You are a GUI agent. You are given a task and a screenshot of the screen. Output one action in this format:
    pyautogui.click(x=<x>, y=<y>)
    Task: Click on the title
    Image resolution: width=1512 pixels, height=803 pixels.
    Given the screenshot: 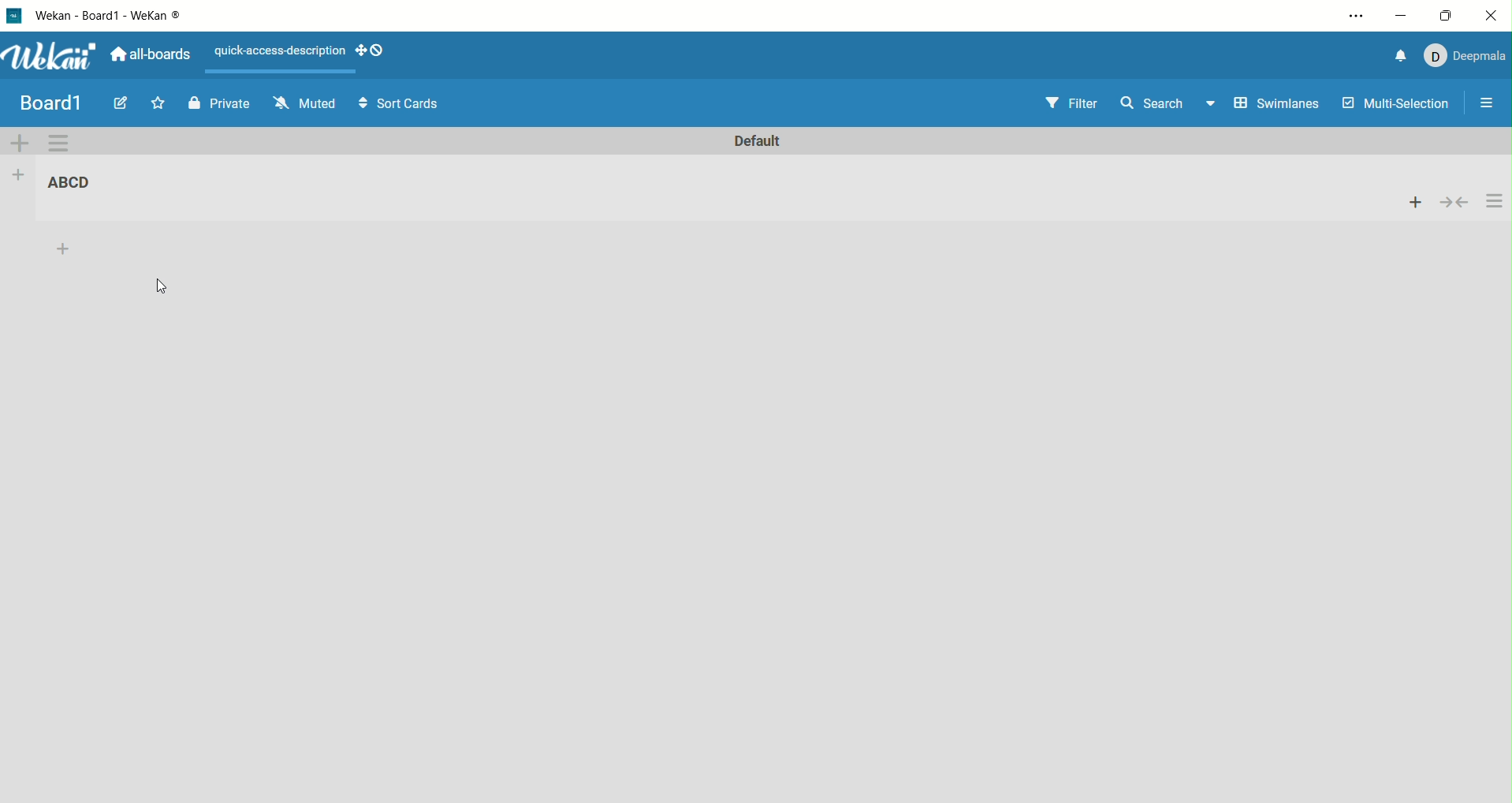 What is the action you would take?
    pyautogui.click(x=50, y=101)
    